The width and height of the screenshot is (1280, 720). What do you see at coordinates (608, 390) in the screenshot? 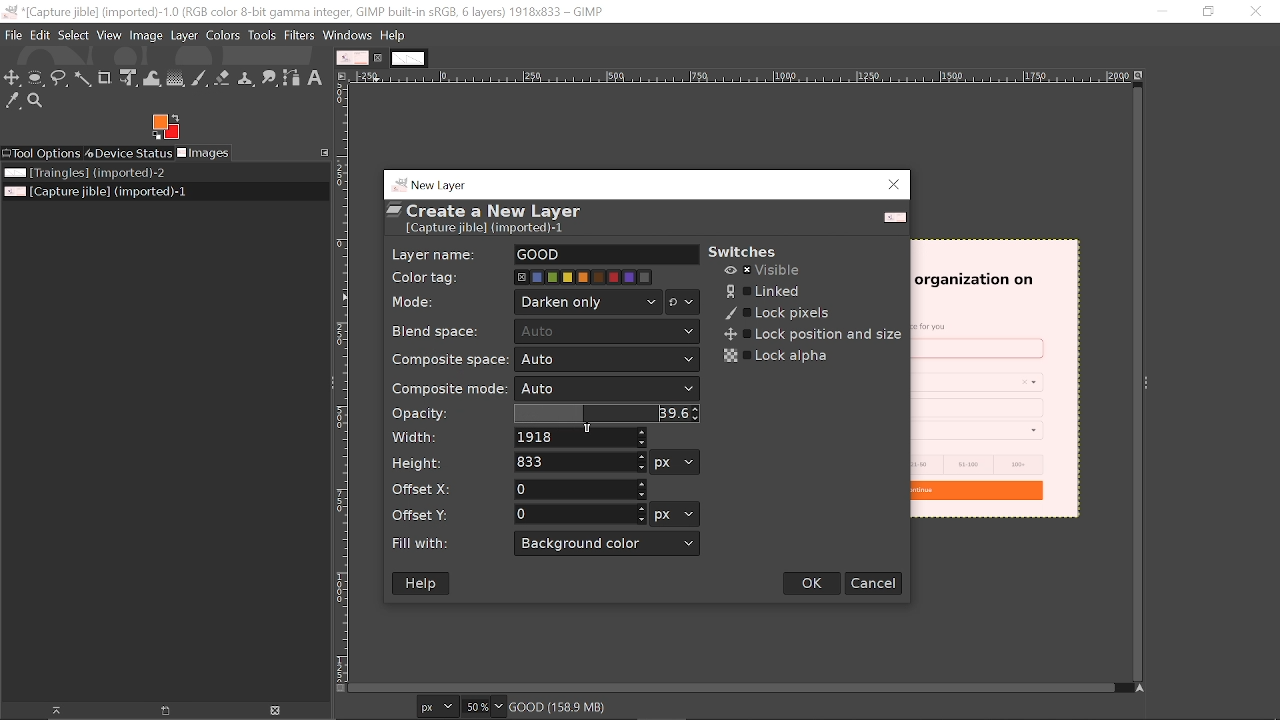
I see `Composite mode` at bounding box center [608, 390].